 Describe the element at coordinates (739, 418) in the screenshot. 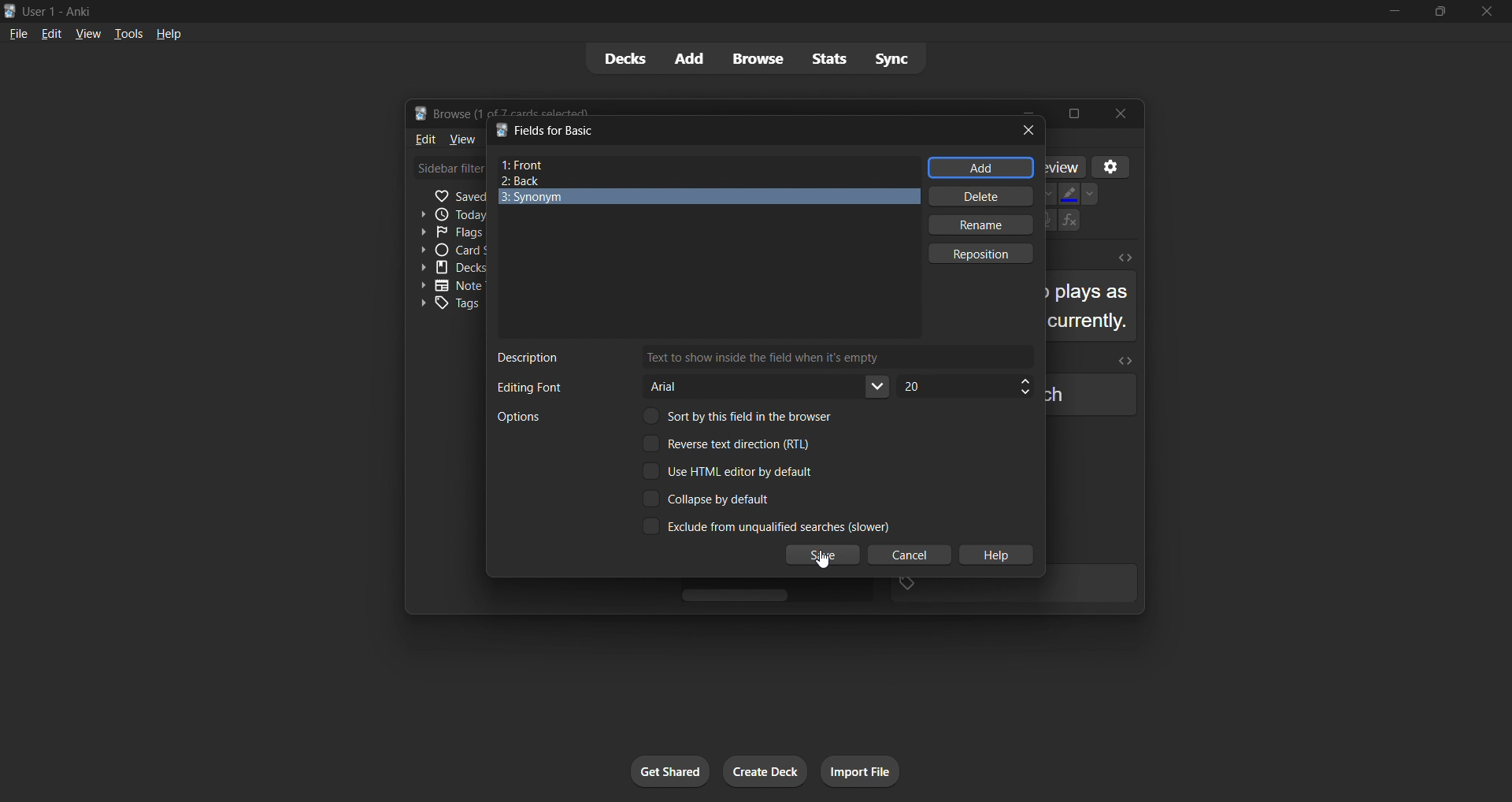

I see `Sort by the field in the browser` at that location.